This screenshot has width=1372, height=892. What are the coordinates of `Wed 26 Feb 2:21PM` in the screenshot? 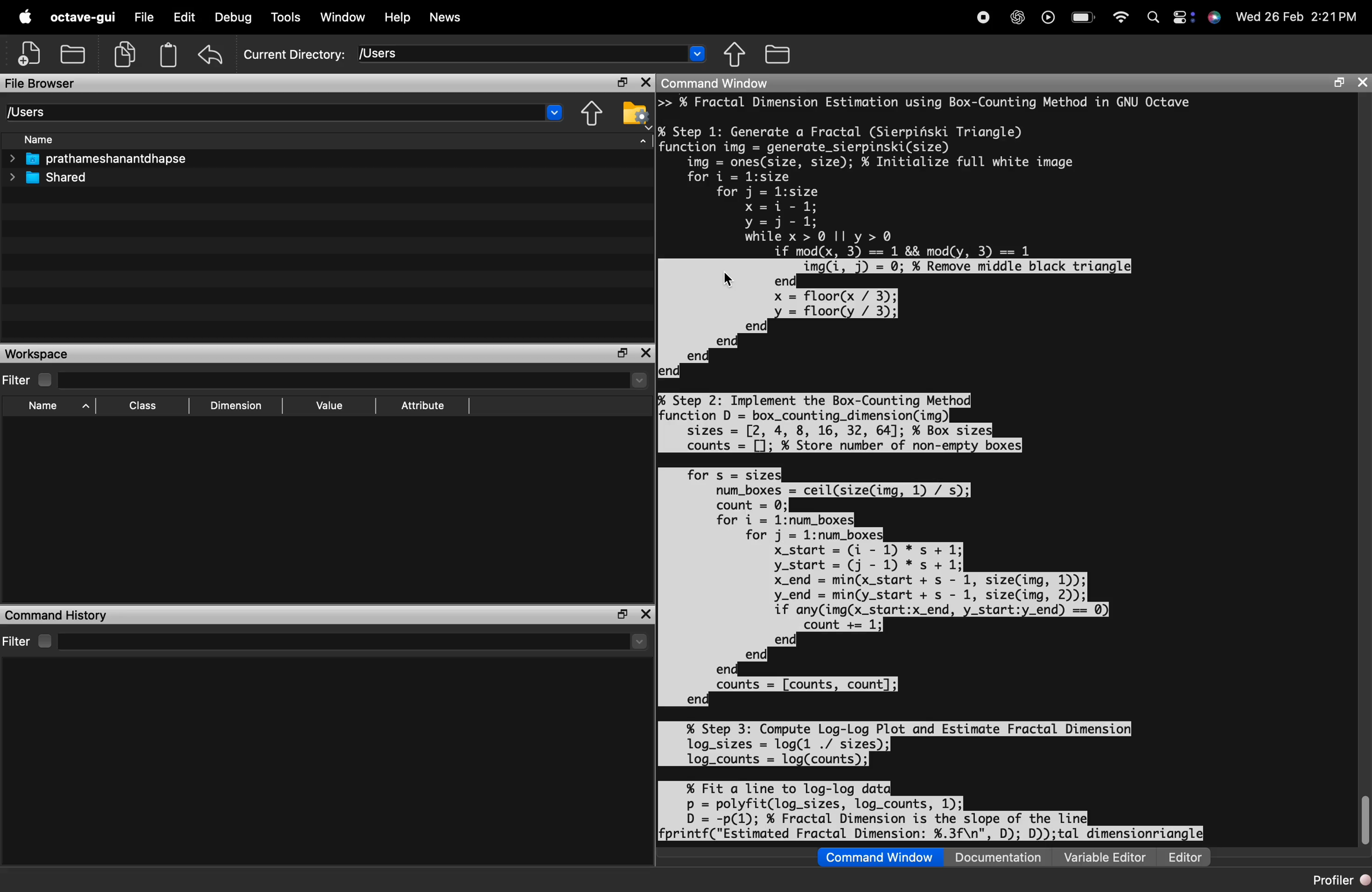 It's located at (1298, 14).